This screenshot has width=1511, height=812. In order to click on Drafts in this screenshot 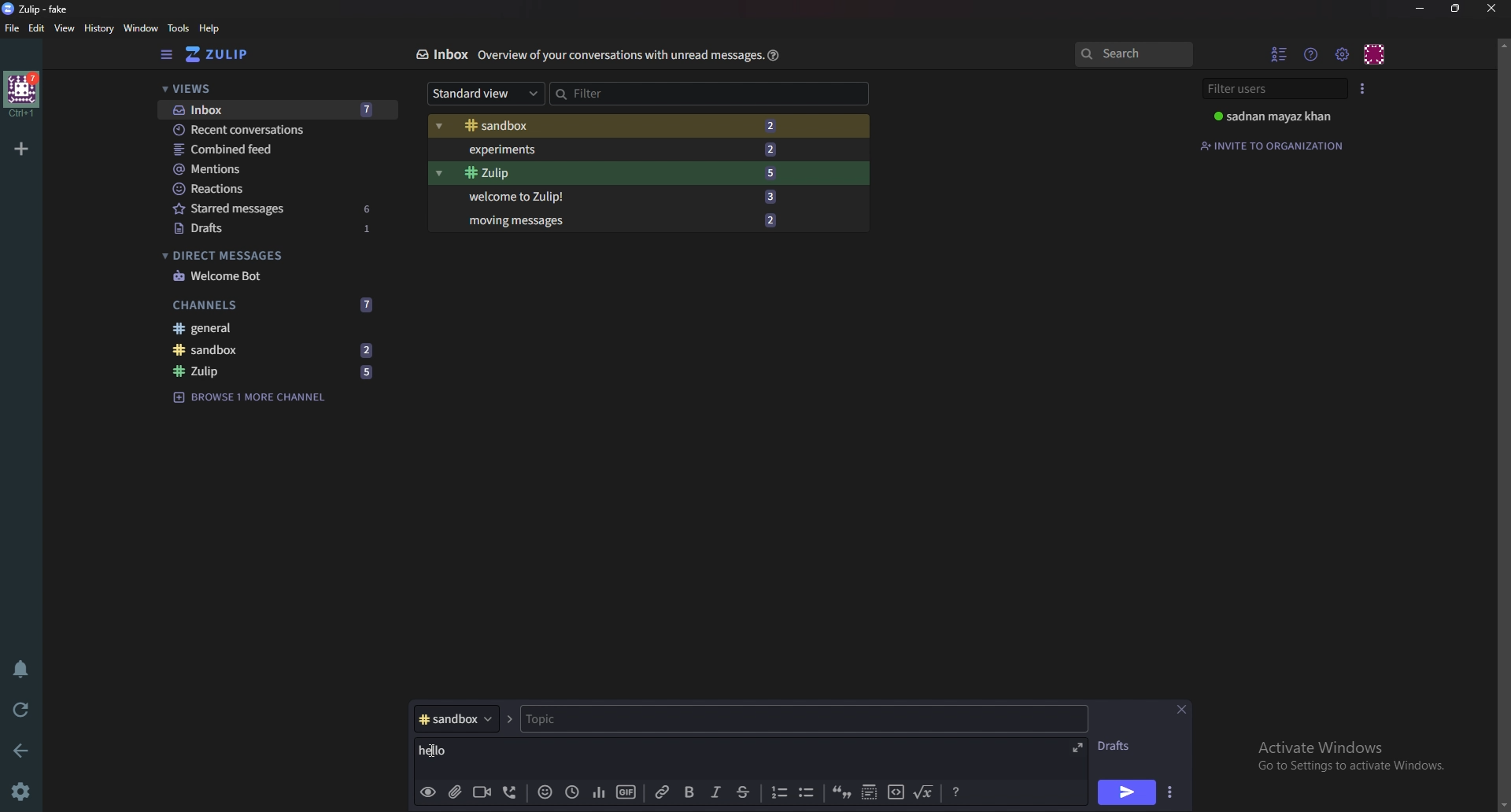, I will do `click(1121, 747)`.